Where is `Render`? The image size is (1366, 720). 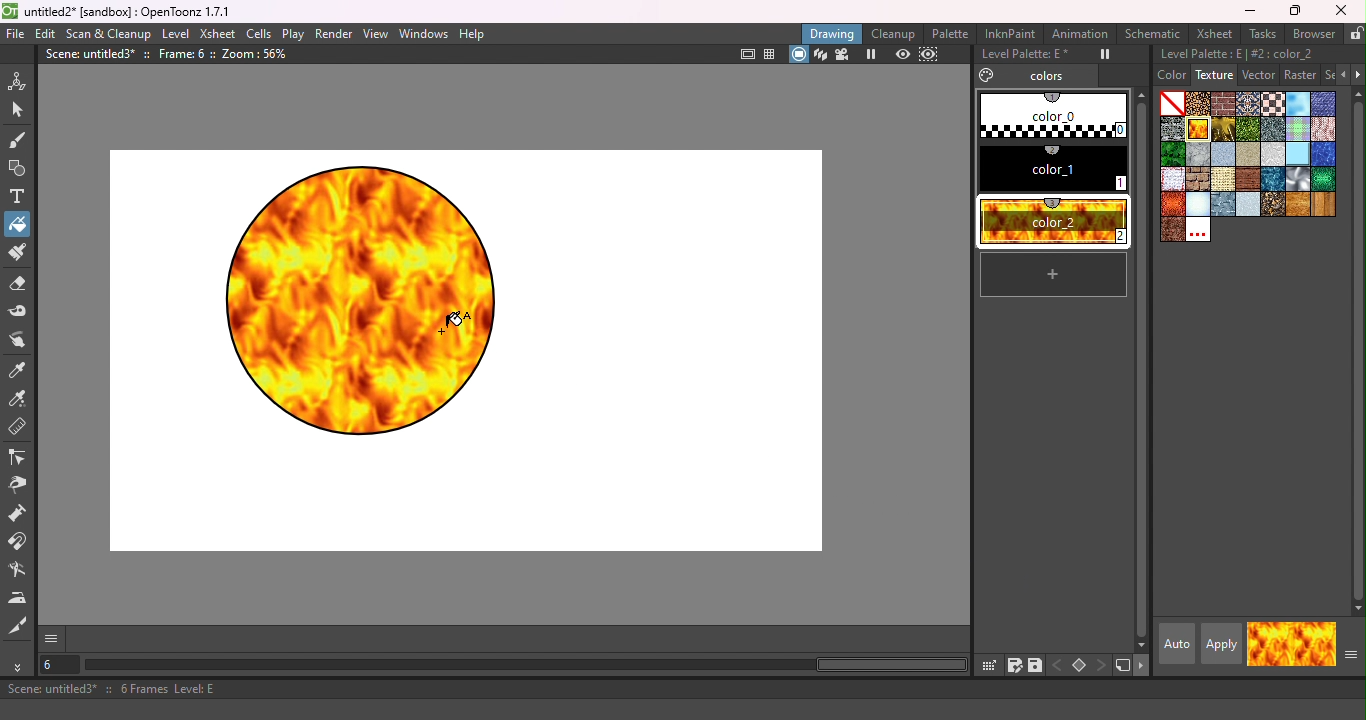 Render is located at coordinates (336, 34).